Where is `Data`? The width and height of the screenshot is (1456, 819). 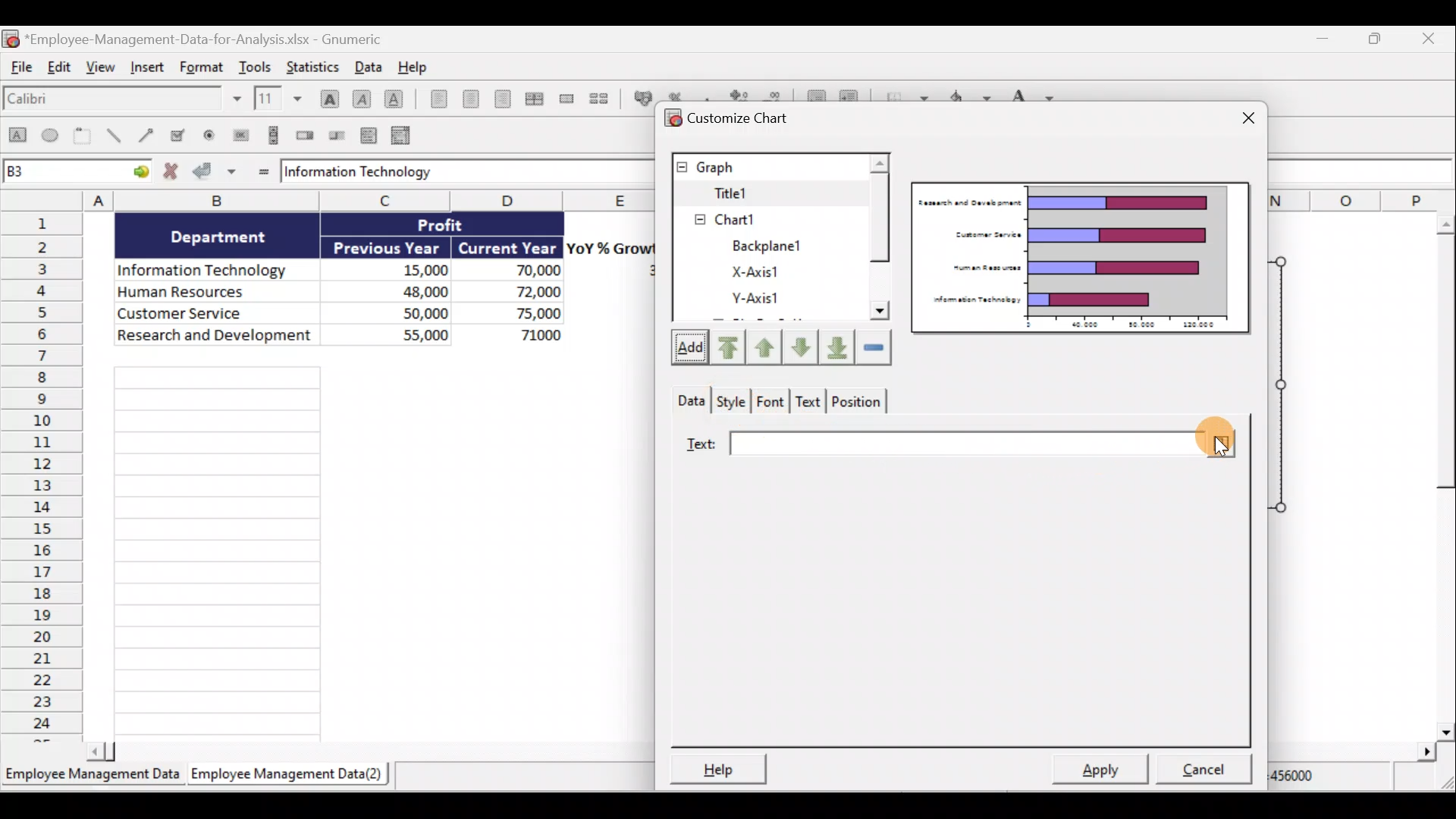
Data is located at coordinates (367, 66).